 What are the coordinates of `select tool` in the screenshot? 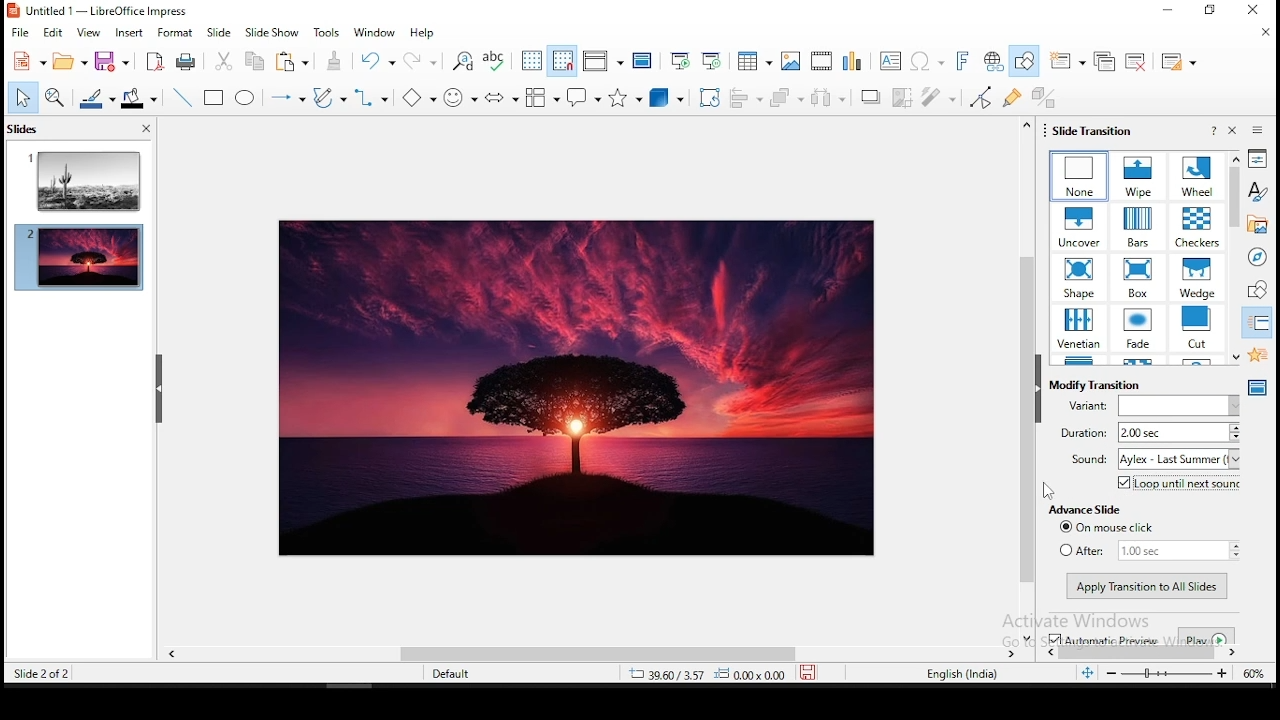 It's located at (24, 99).